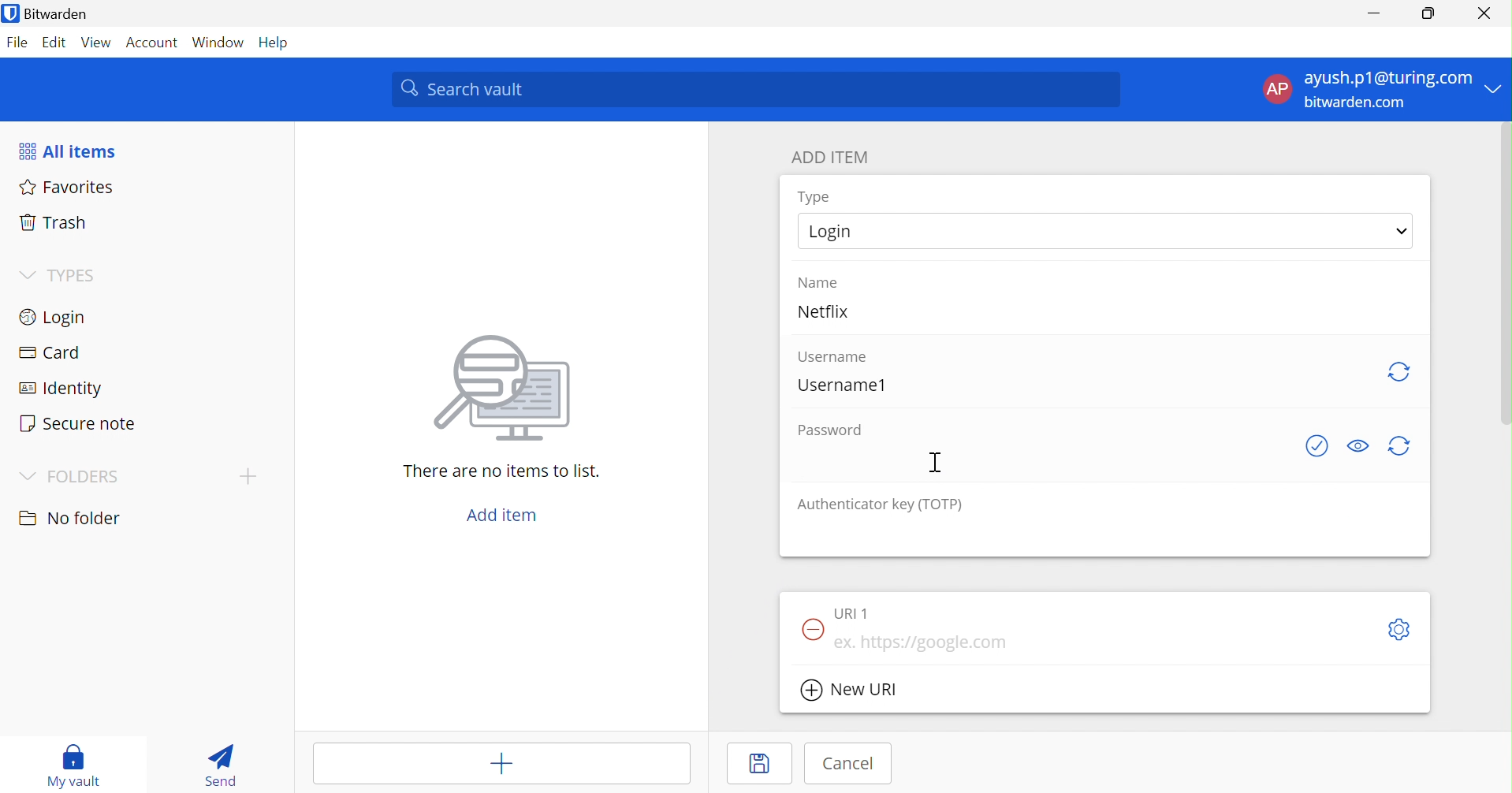 The image size is (1512, 793). I want to click on File, so click(18, 43).